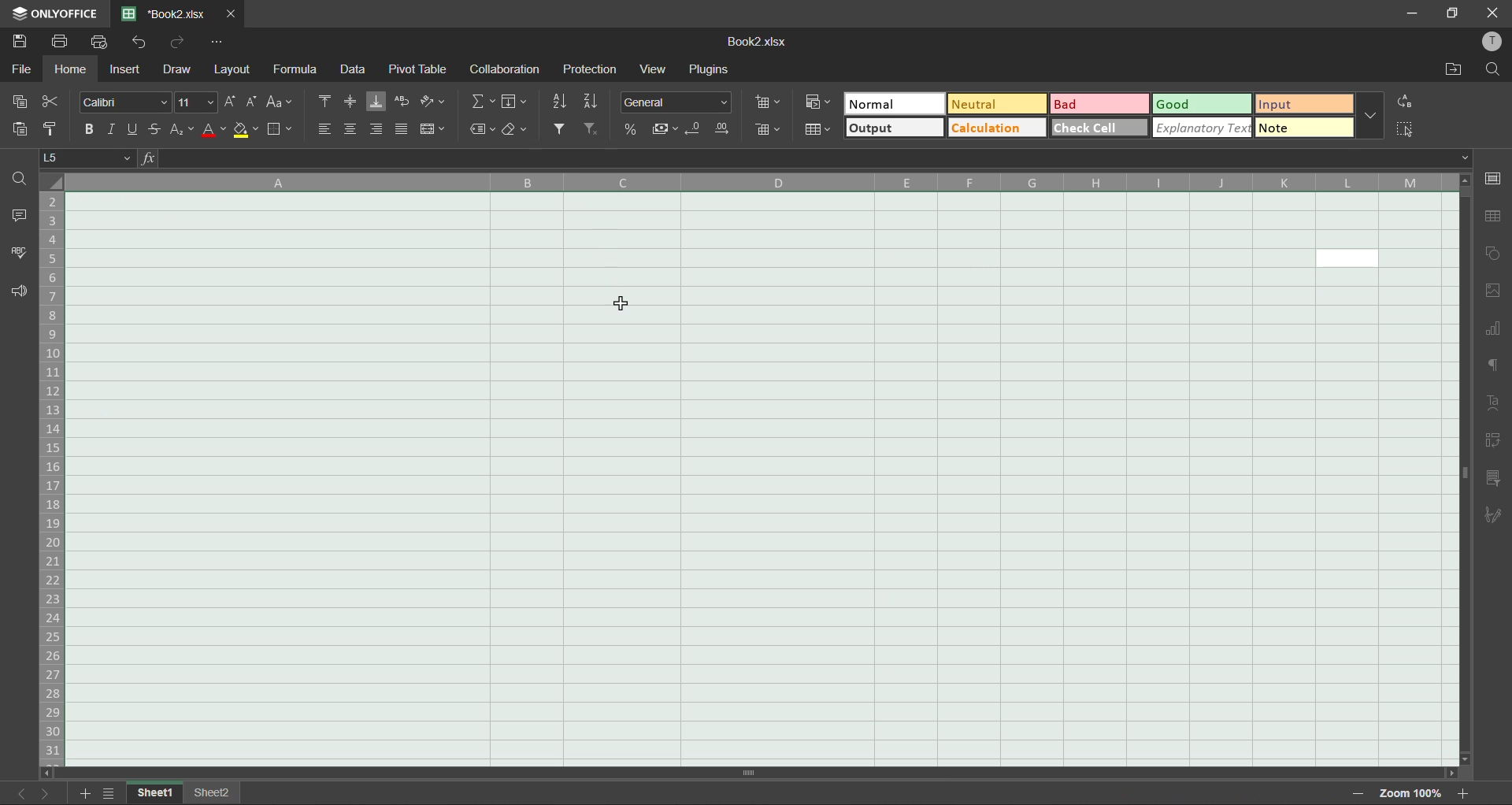 The height and width of the screenshot is (805, 1512). I want to click on paragraph, so click(1489, 366).